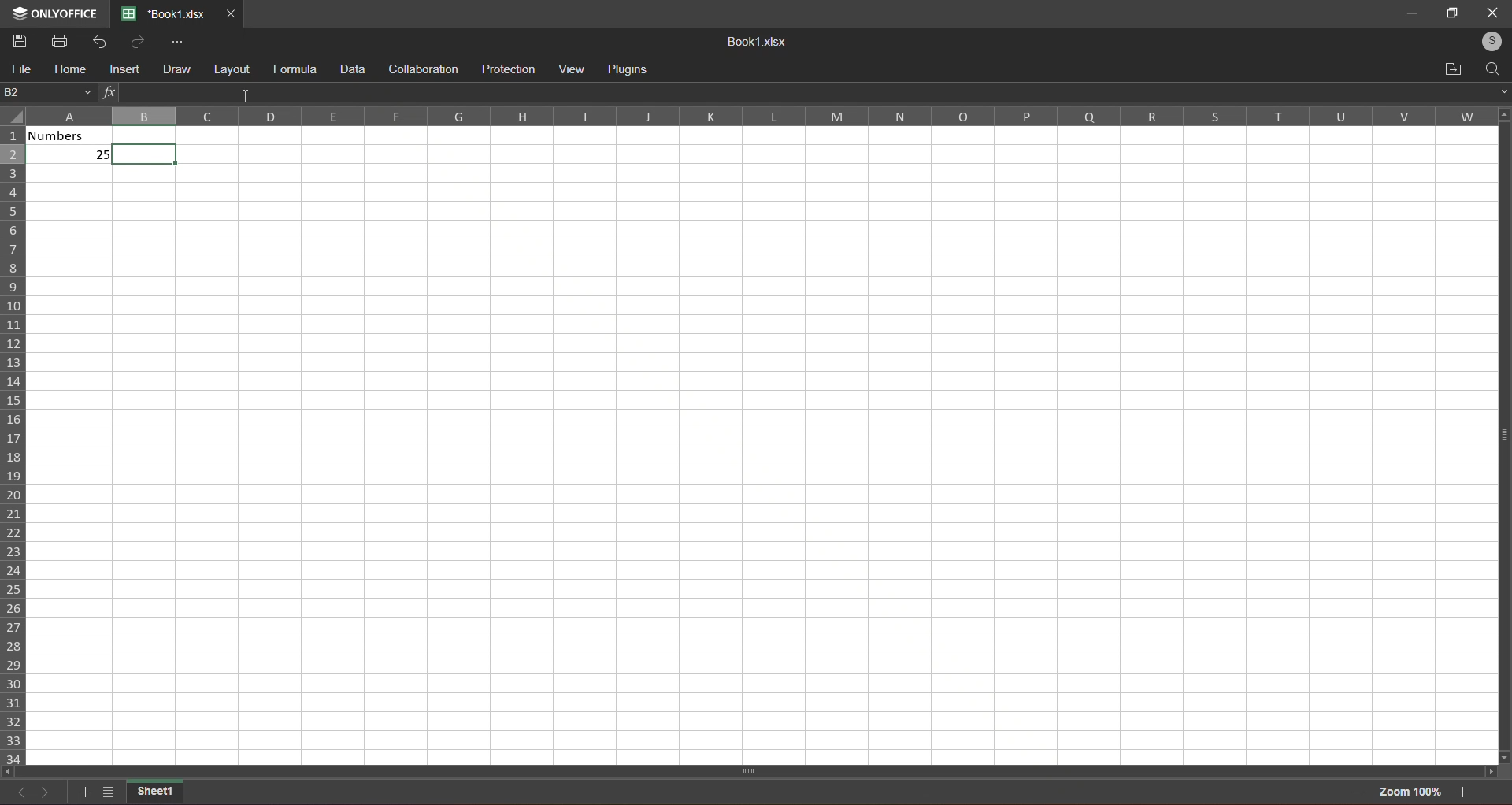 Image resolution: width=1512 pixels, height=805 pixels. I want to click on login, so click(1488, 39).